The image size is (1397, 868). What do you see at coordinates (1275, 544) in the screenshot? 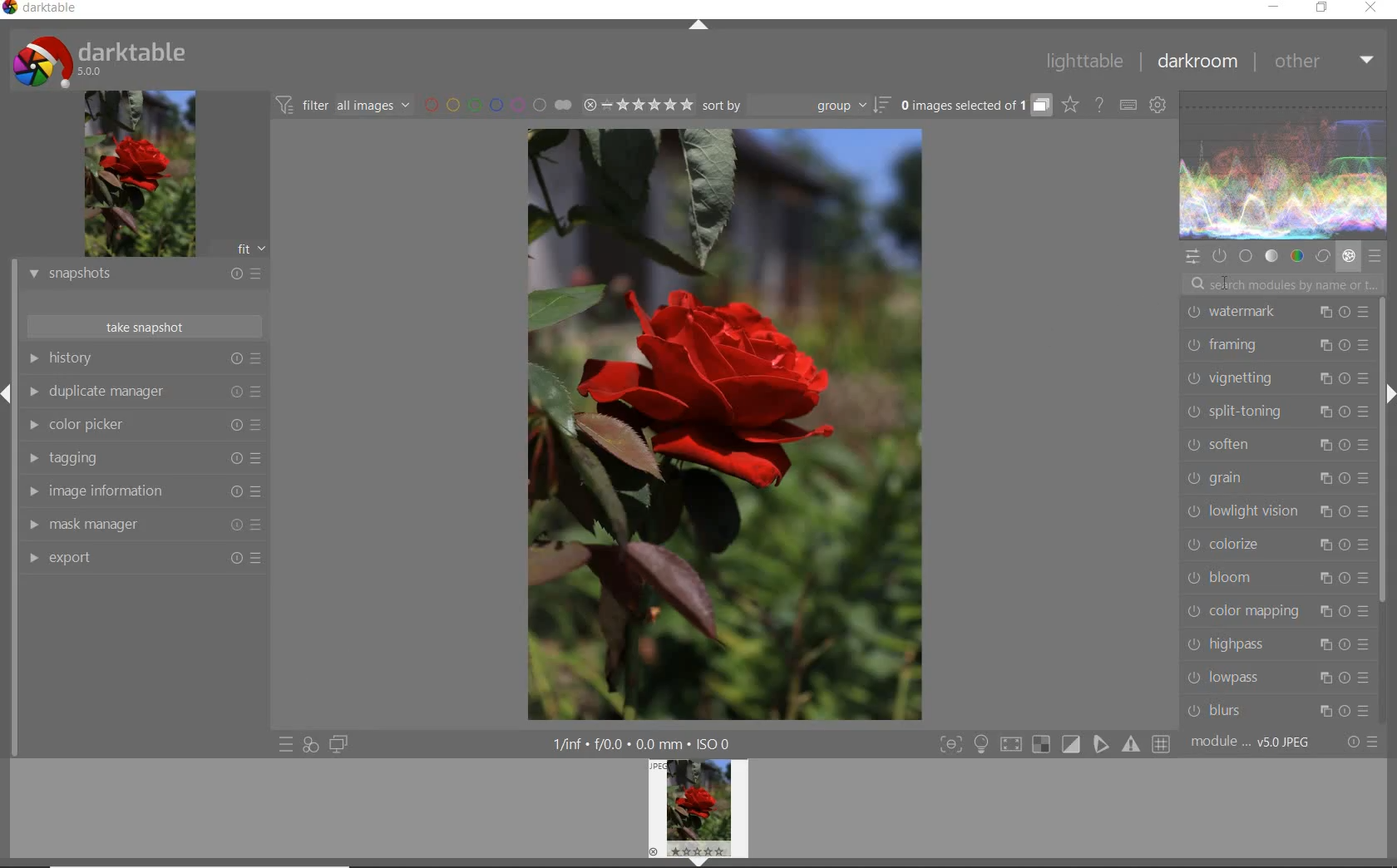
I see `colorize` at bounding box center [1275, 544].